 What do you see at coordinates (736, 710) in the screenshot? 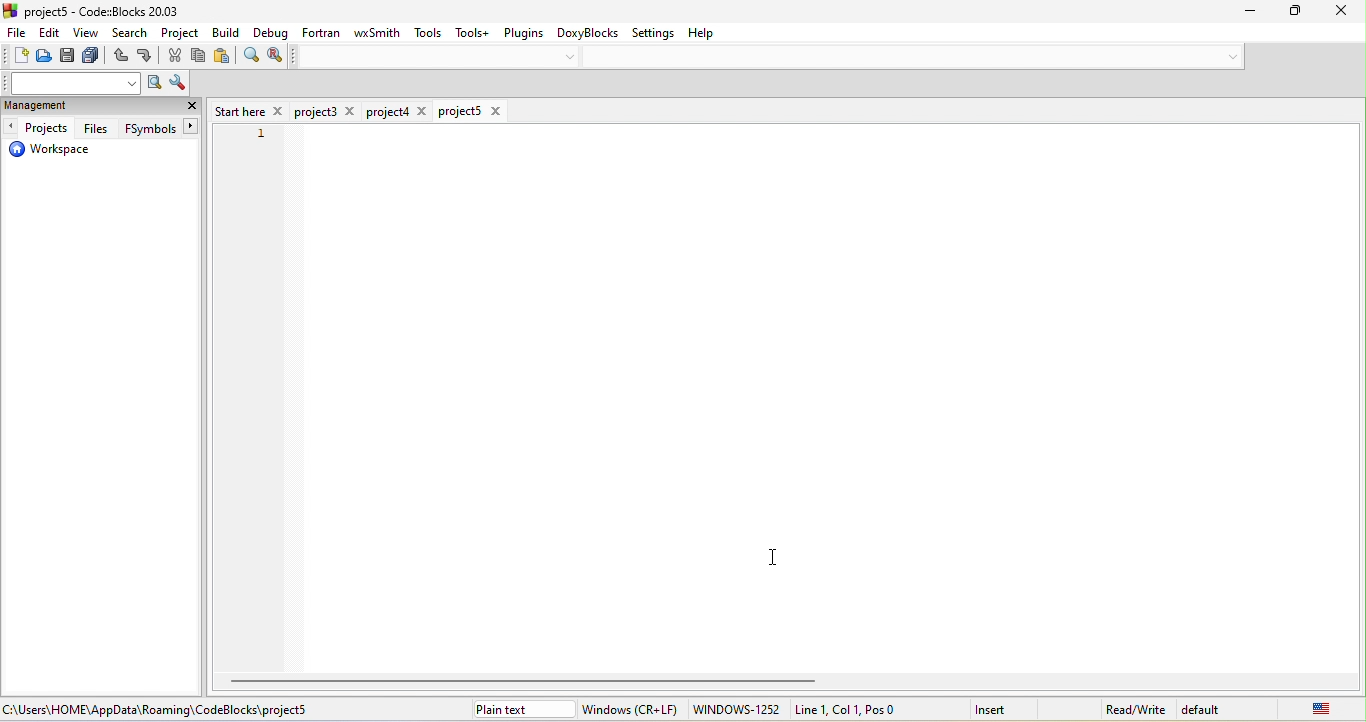
I see `windows-1252` at bounding box center [736, 710].